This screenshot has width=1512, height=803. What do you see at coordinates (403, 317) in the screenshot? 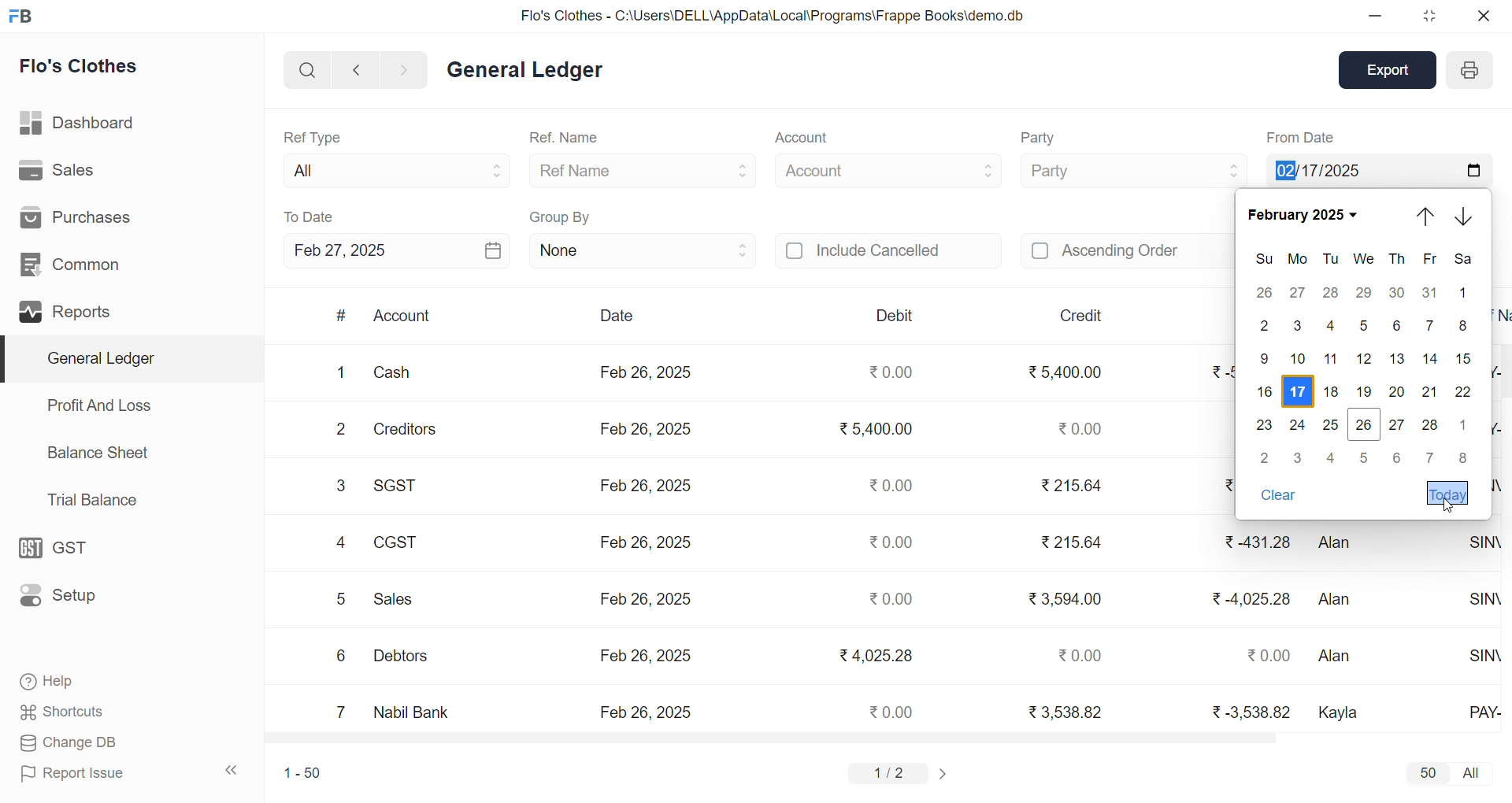
I see `Account` at bounding box center [403, 317].